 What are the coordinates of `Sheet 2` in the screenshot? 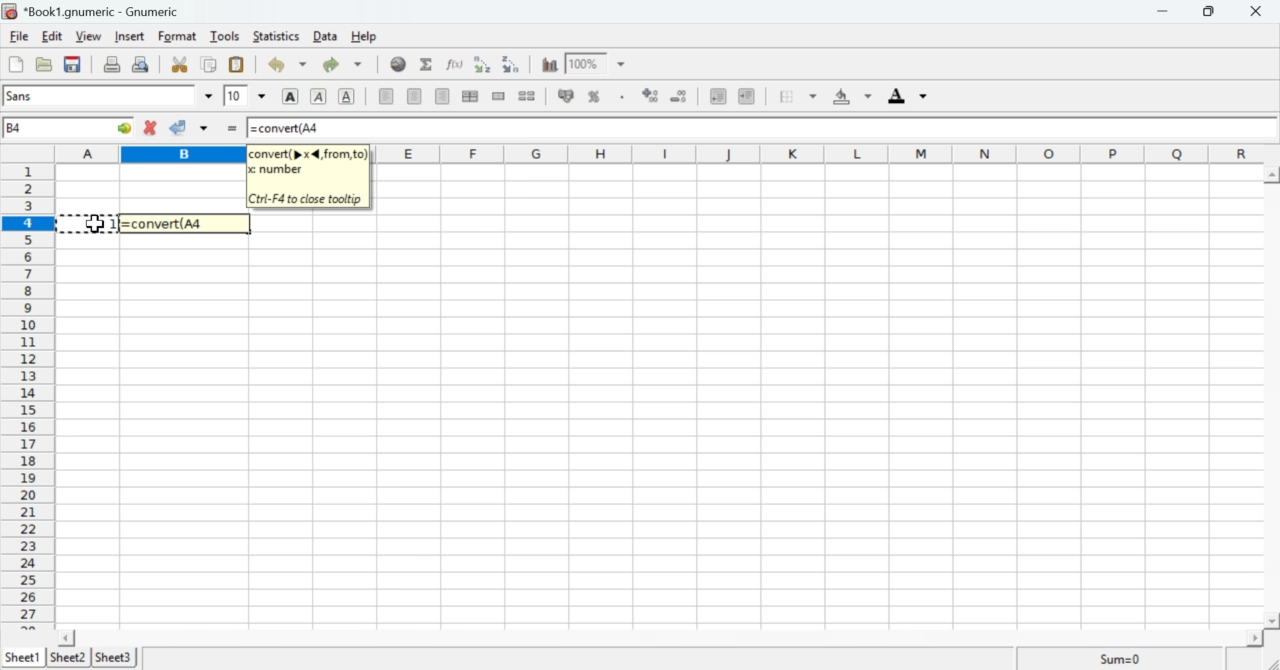 It's located at (69, 658).